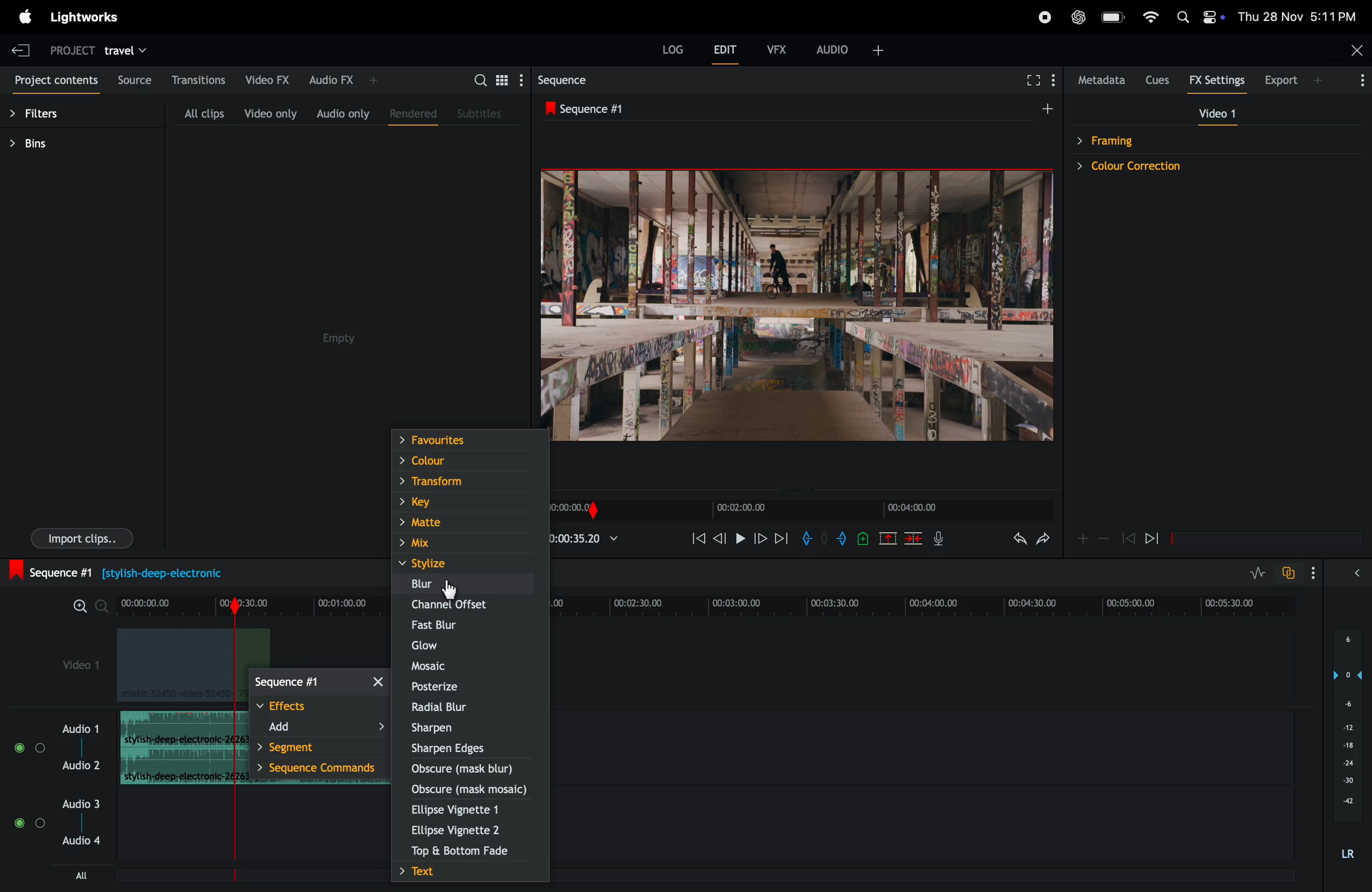 The width and height of the screenshot is (1372, 892). I want to click on next frame, so click(761, 539).